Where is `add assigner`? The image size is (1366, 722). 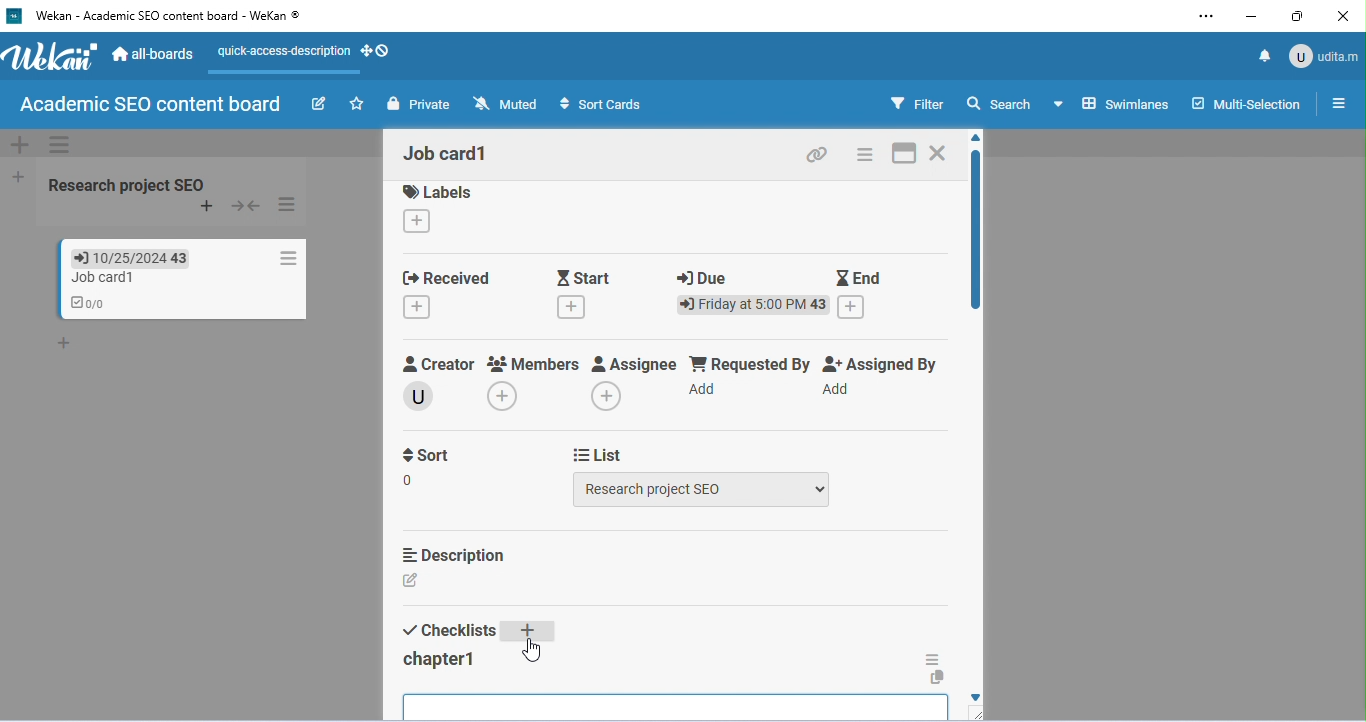
add assigner is located at coordinates (838, 395).